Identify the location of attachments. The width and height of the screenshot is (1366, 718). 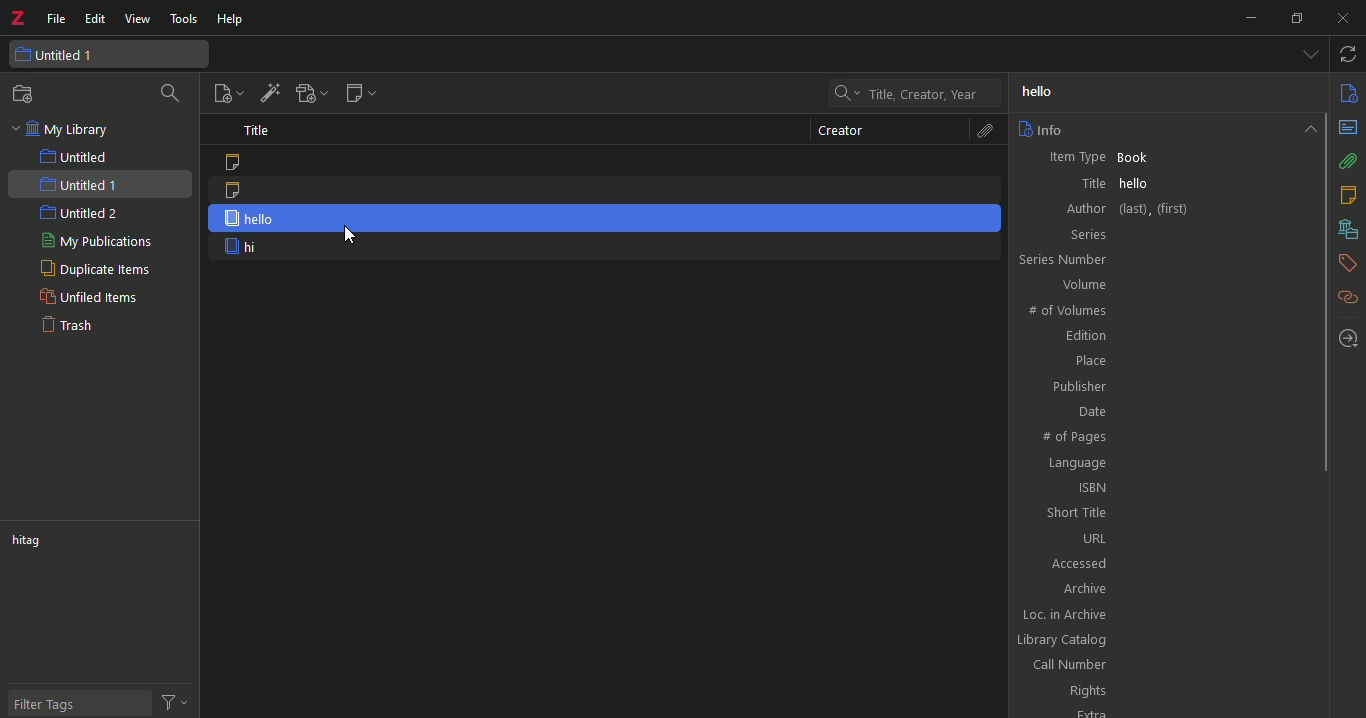
(984, 130).